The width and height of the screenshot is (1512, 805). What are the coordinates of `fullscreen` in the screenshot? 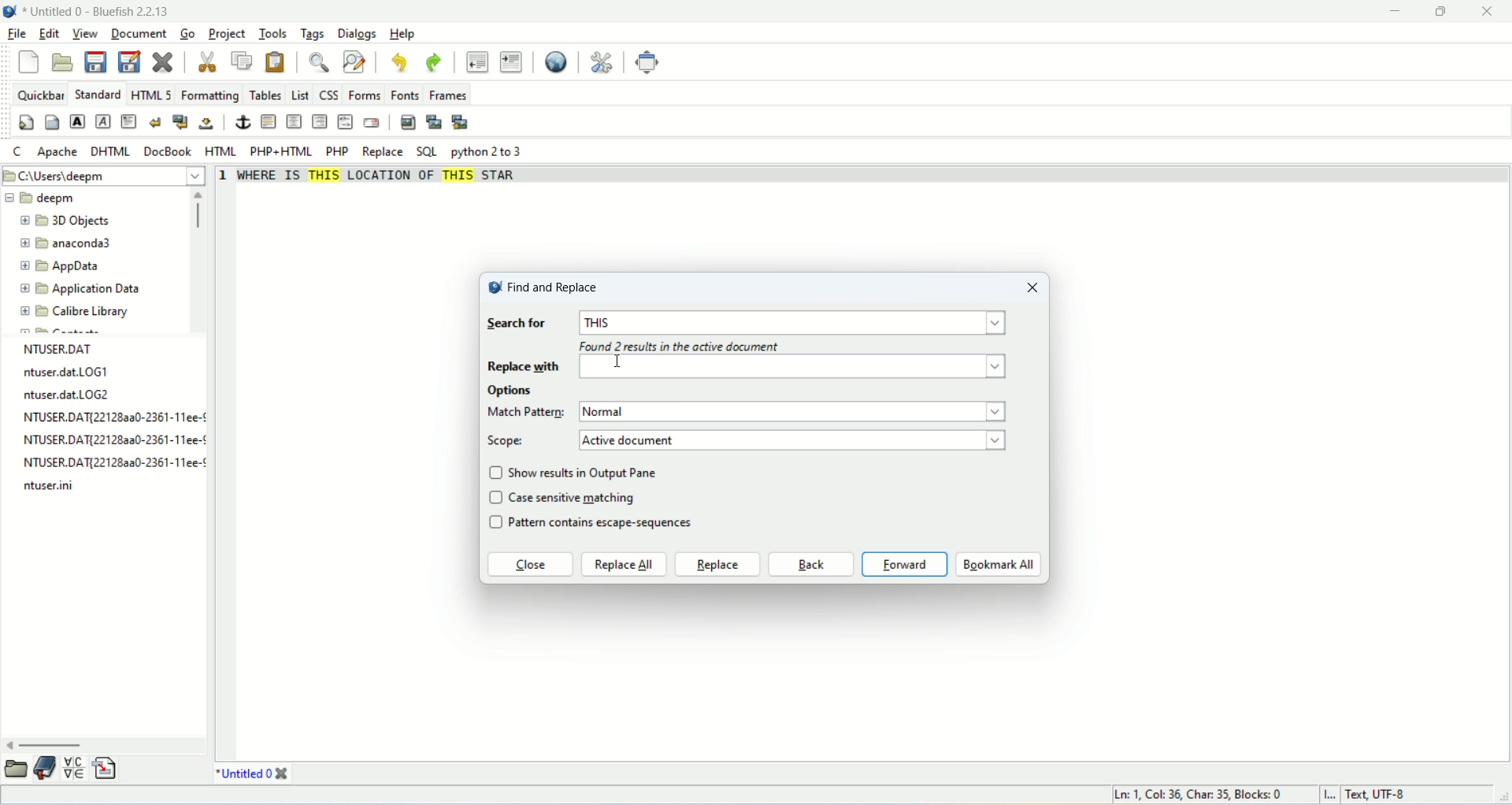 It's located at (650, 63).